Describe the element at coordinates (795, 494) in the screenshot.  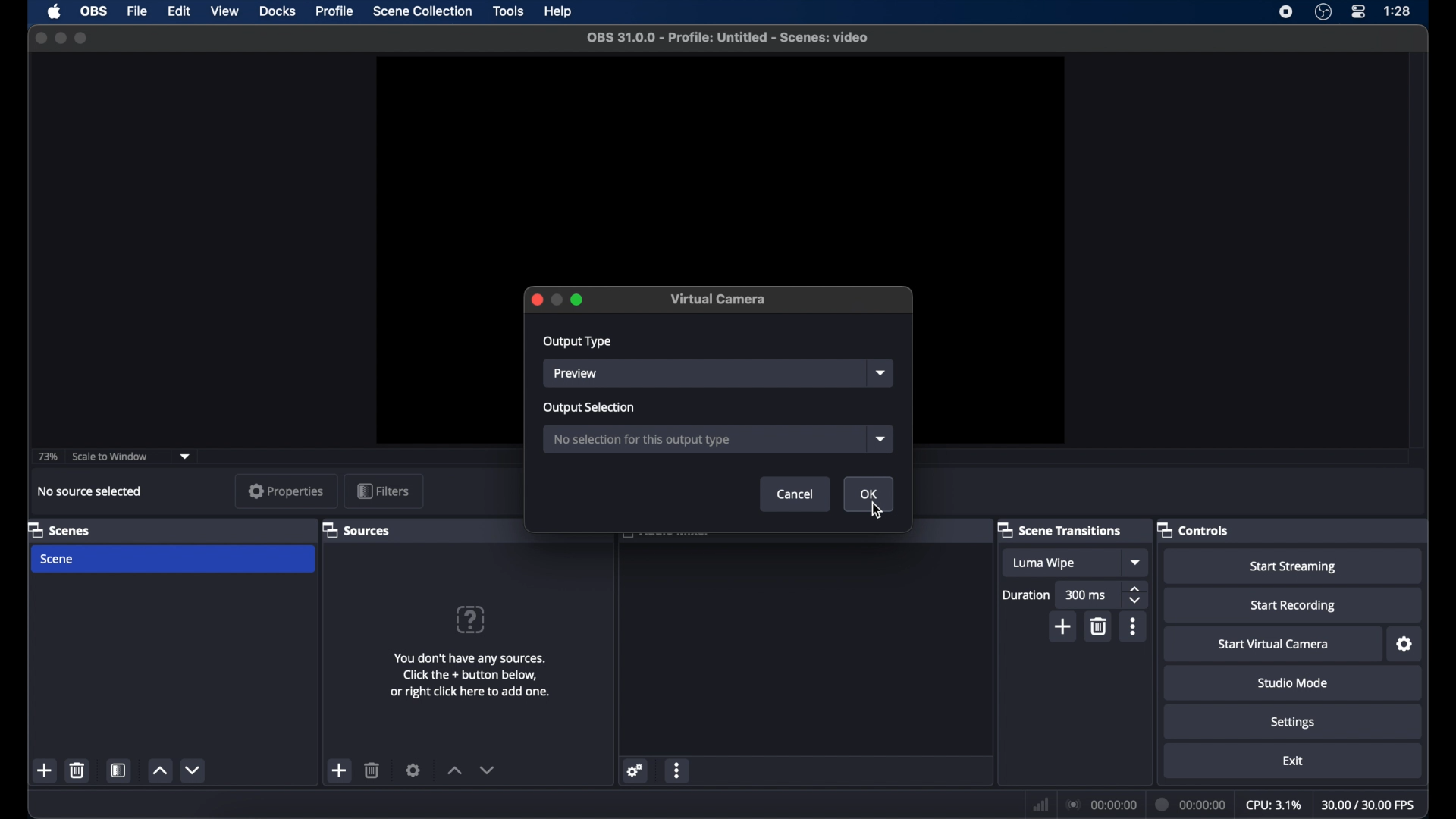
I see `cancel` at that location.